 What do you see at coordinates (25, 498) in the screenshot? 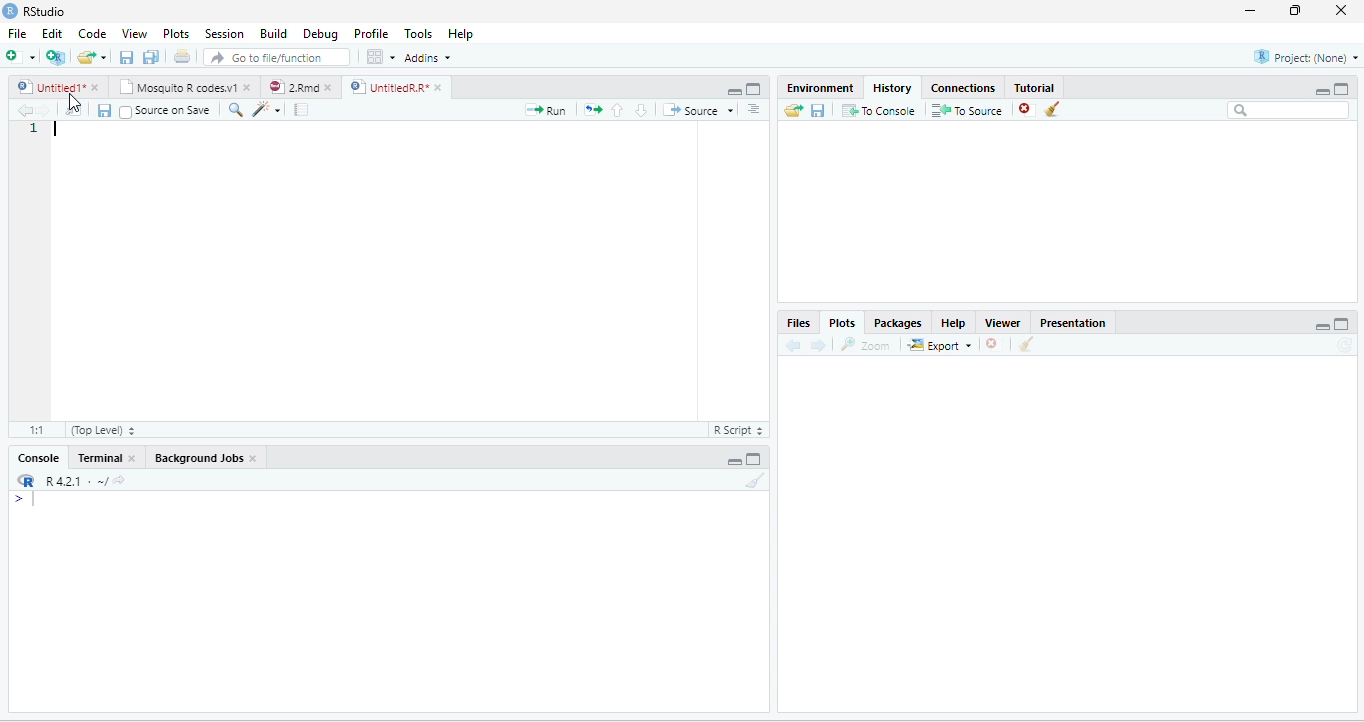
I see `New line` at bounding box center [25, 498].